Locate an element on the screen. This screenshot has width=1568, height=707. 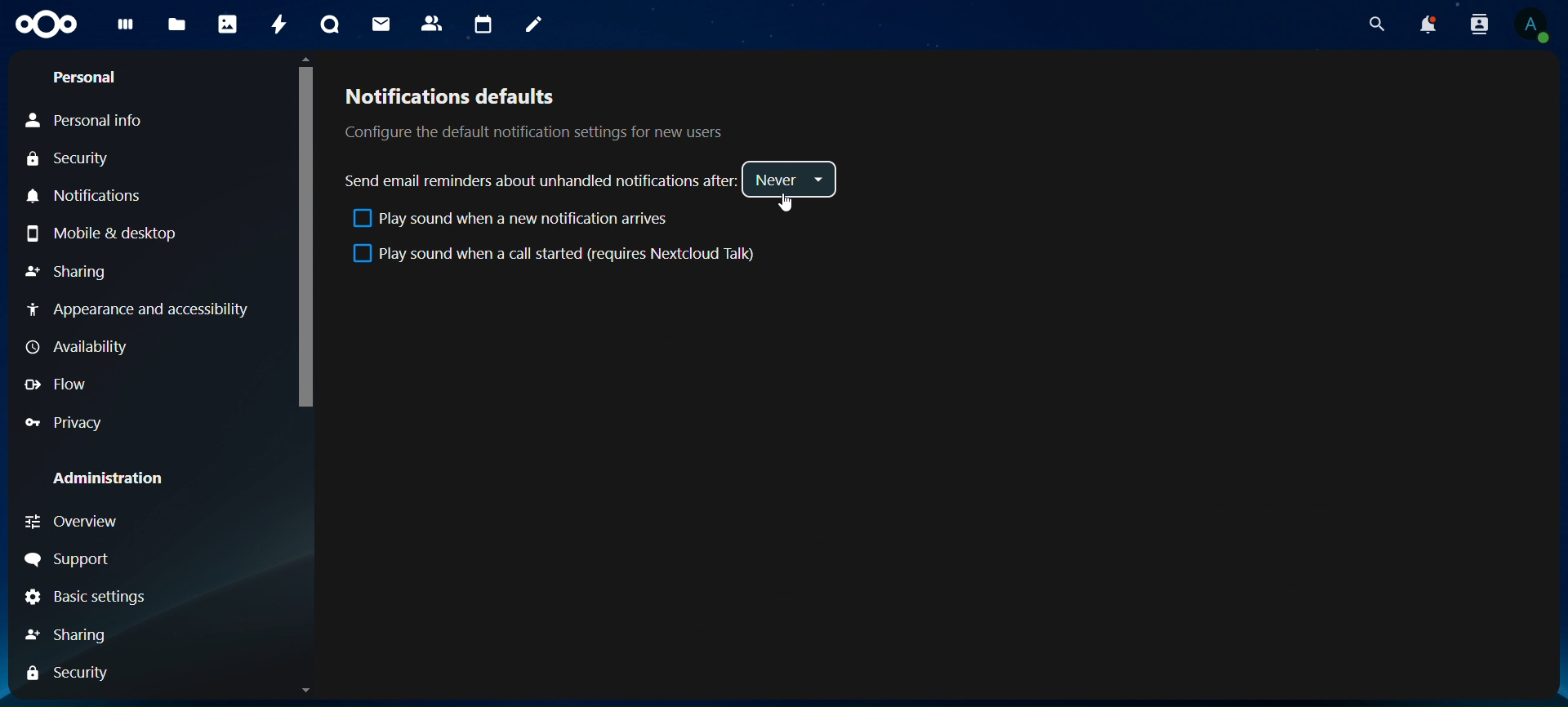
play sound when a new notification arrives is located at coordinates (508, 221).